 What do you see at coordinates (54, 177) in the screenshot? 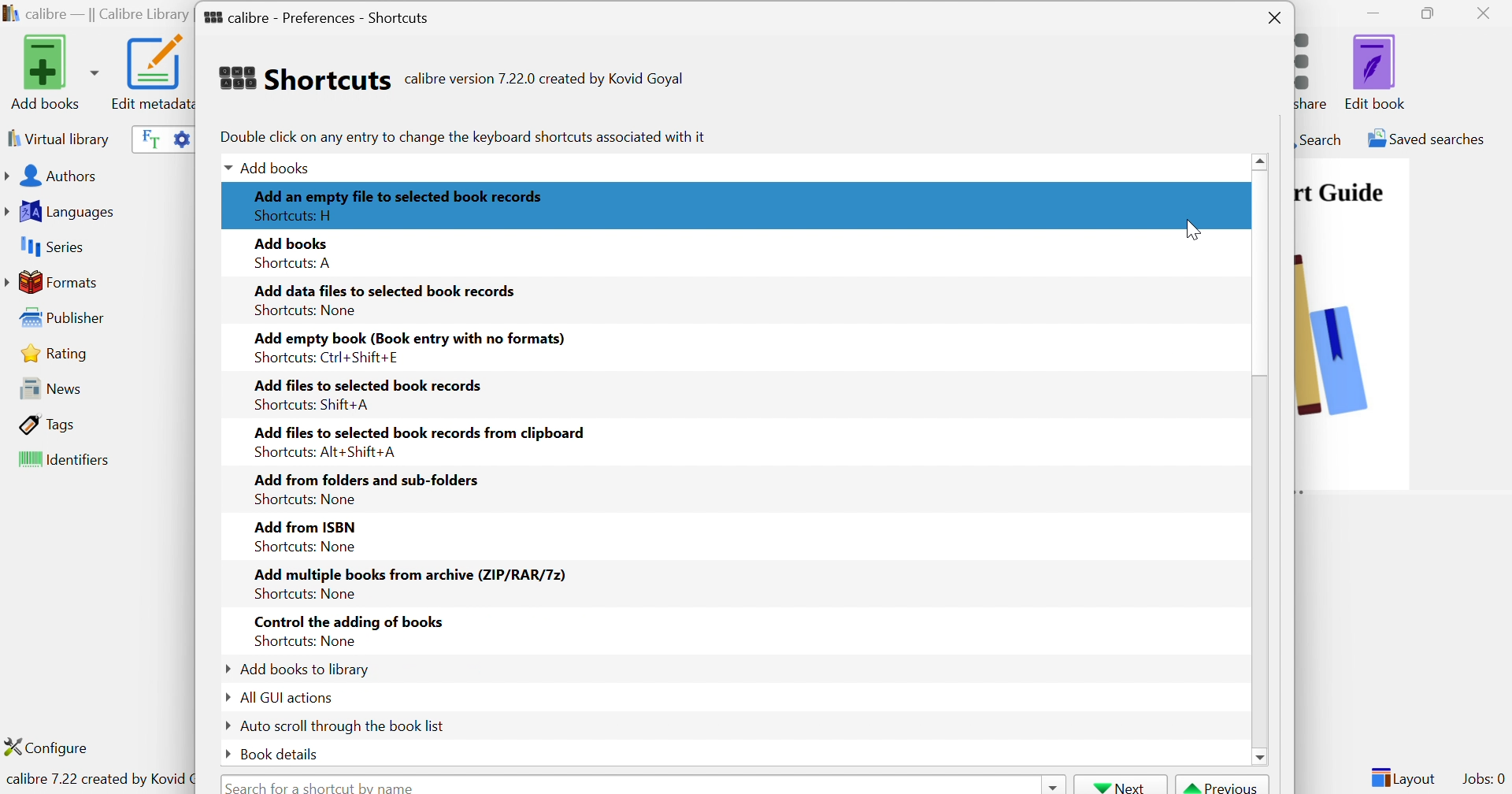
I see `Authors` at bounding box center [54, 177].